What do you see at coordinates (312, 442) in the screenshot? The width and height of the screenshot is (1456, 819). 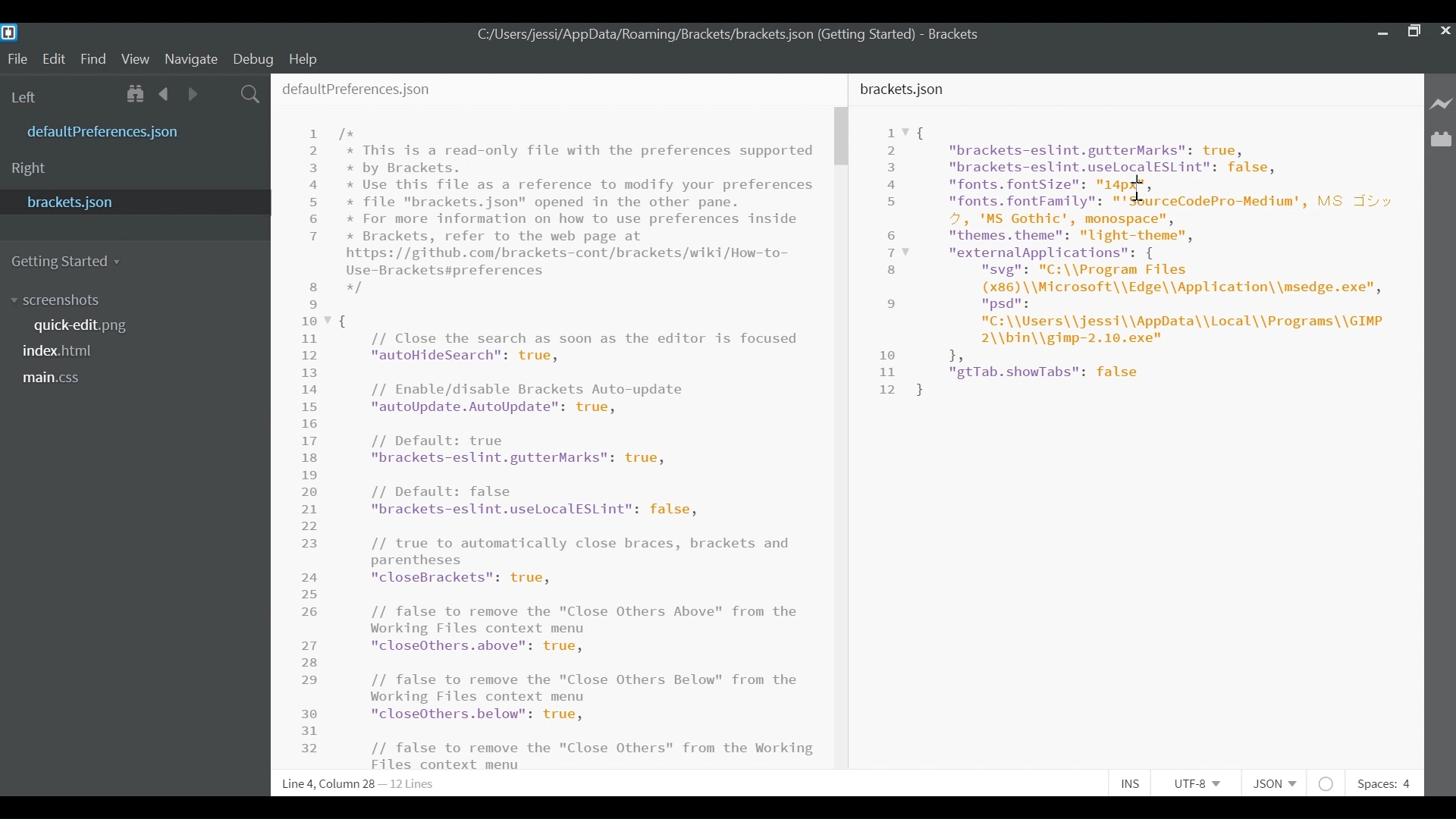 I see `Line Number` at bounding box center [312, 442].